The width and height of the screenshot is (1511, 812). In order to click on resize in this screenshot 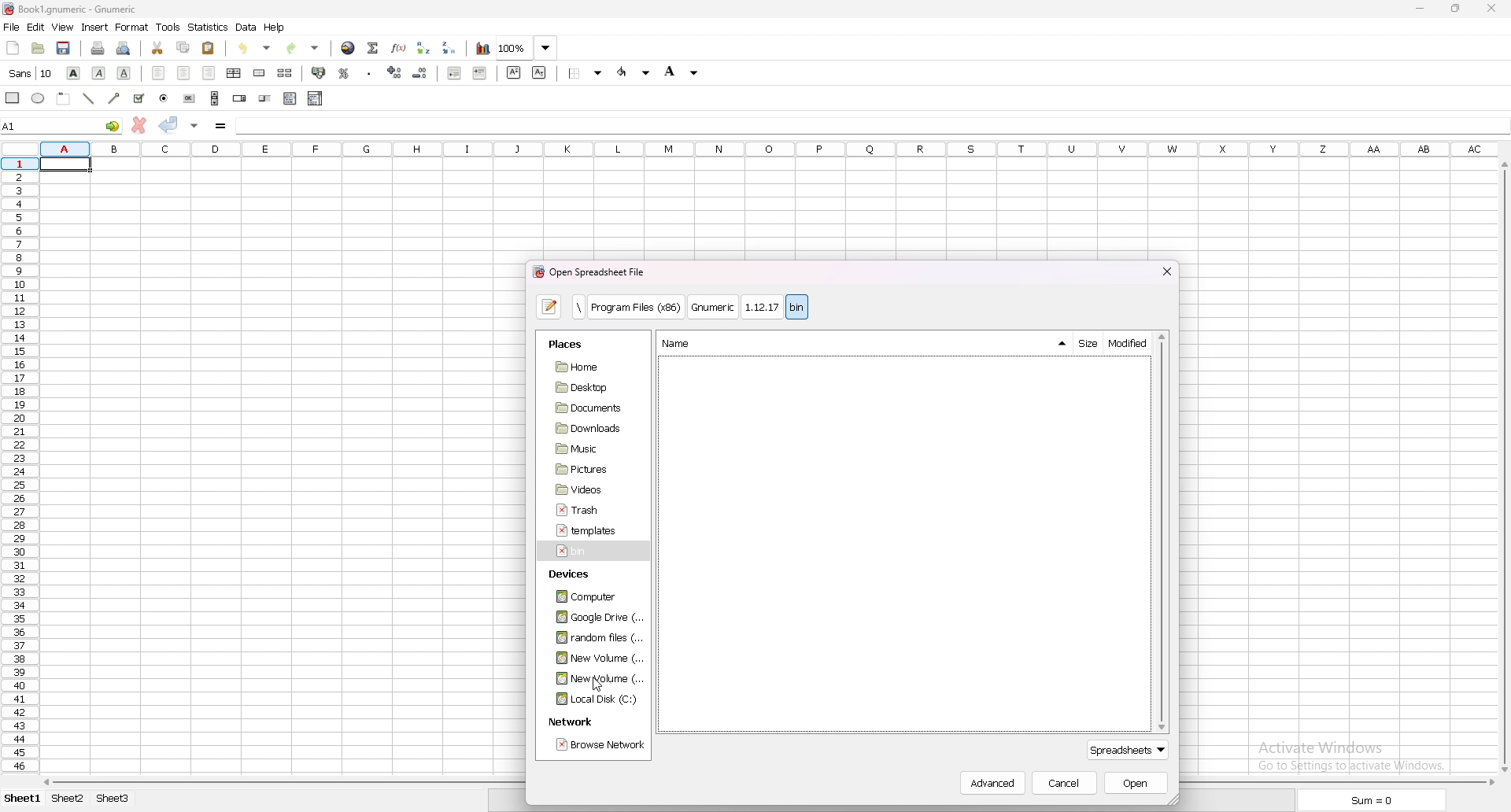, I will do `click(1454, 8)`.